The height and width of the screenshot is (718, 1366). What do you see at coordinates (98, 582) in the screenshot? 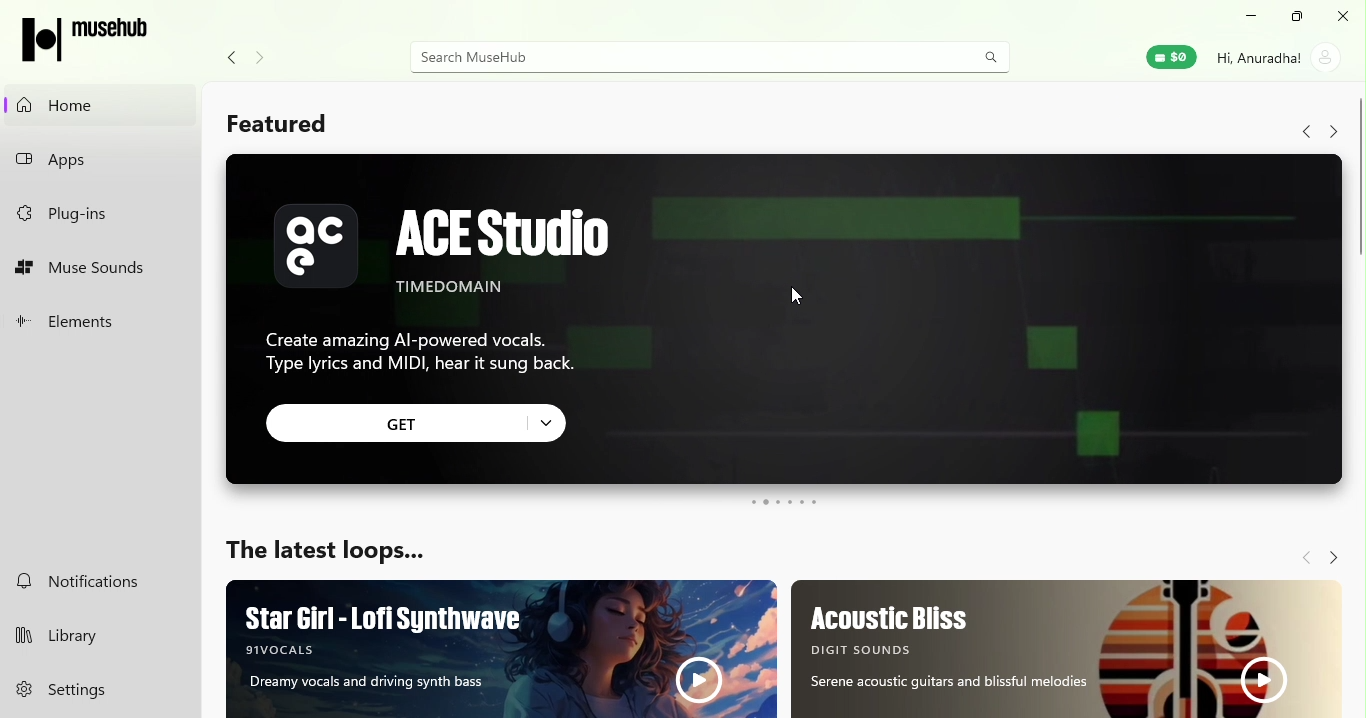
I see `notifications` at bounding box center [98, 582].